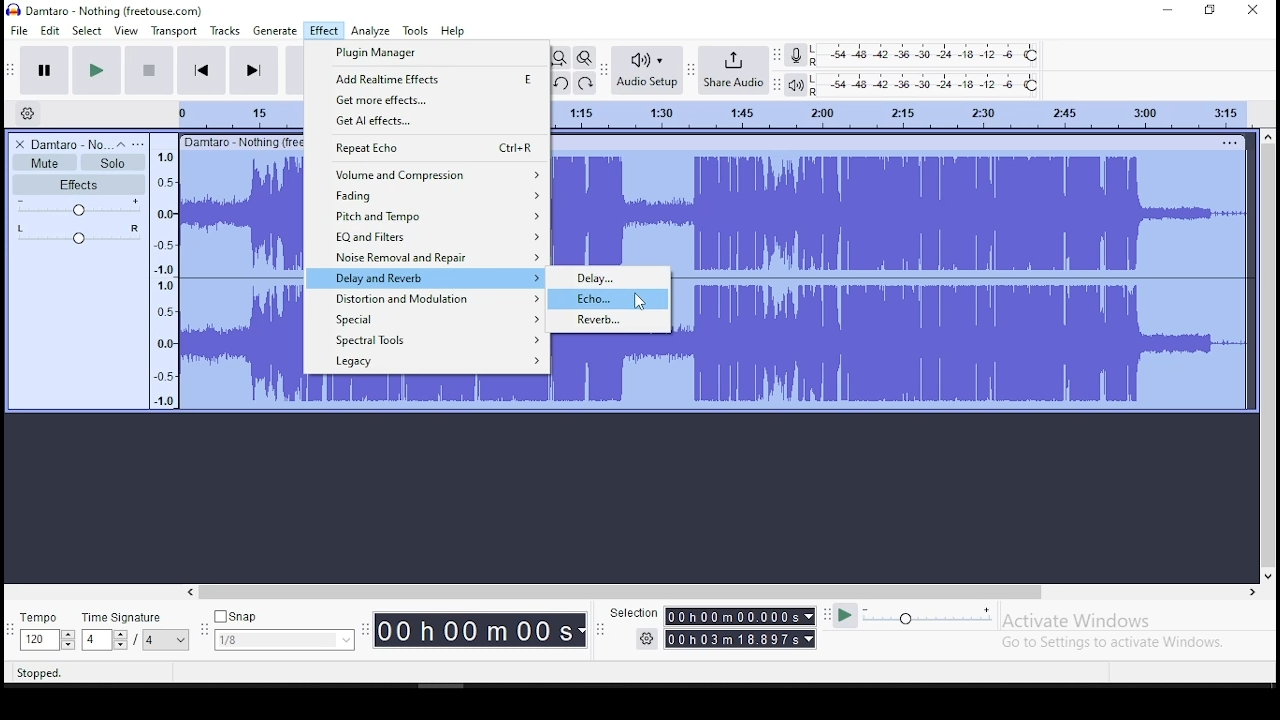 The height and width of the screenshot is (720, 1280). I want to click on share audio, so click(734, 70).